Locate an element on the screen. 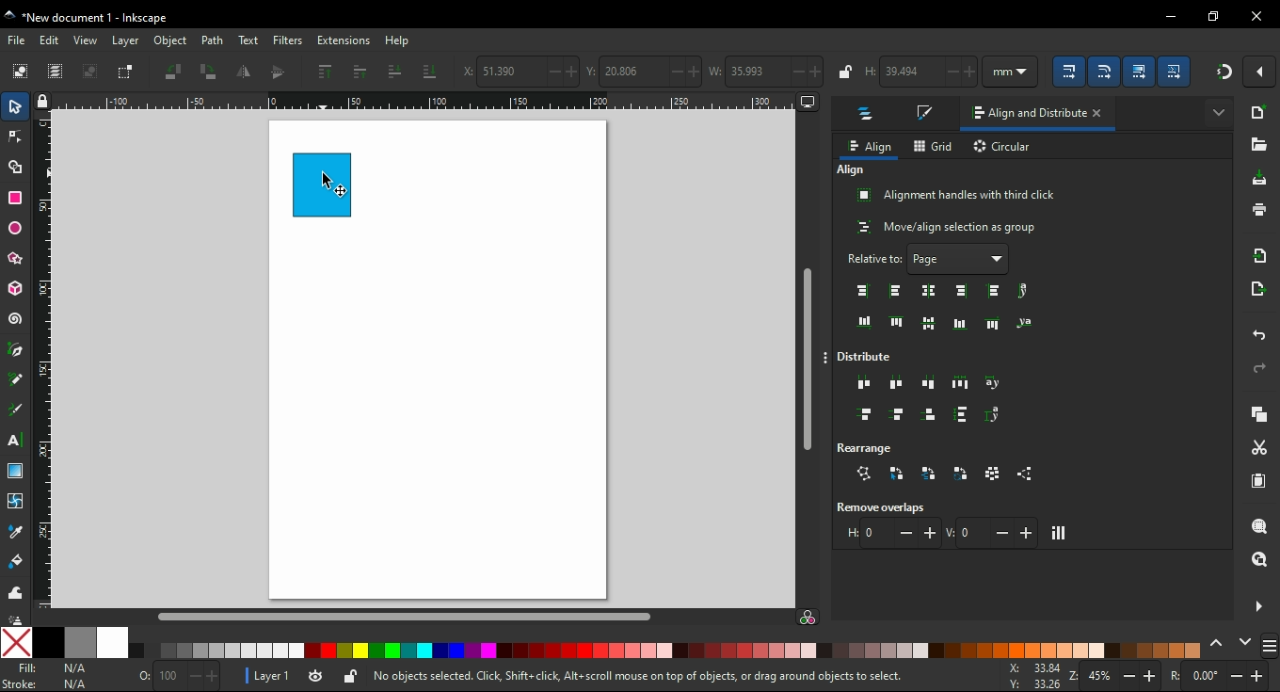  unclump objects is located at coordinates (1028, 474).